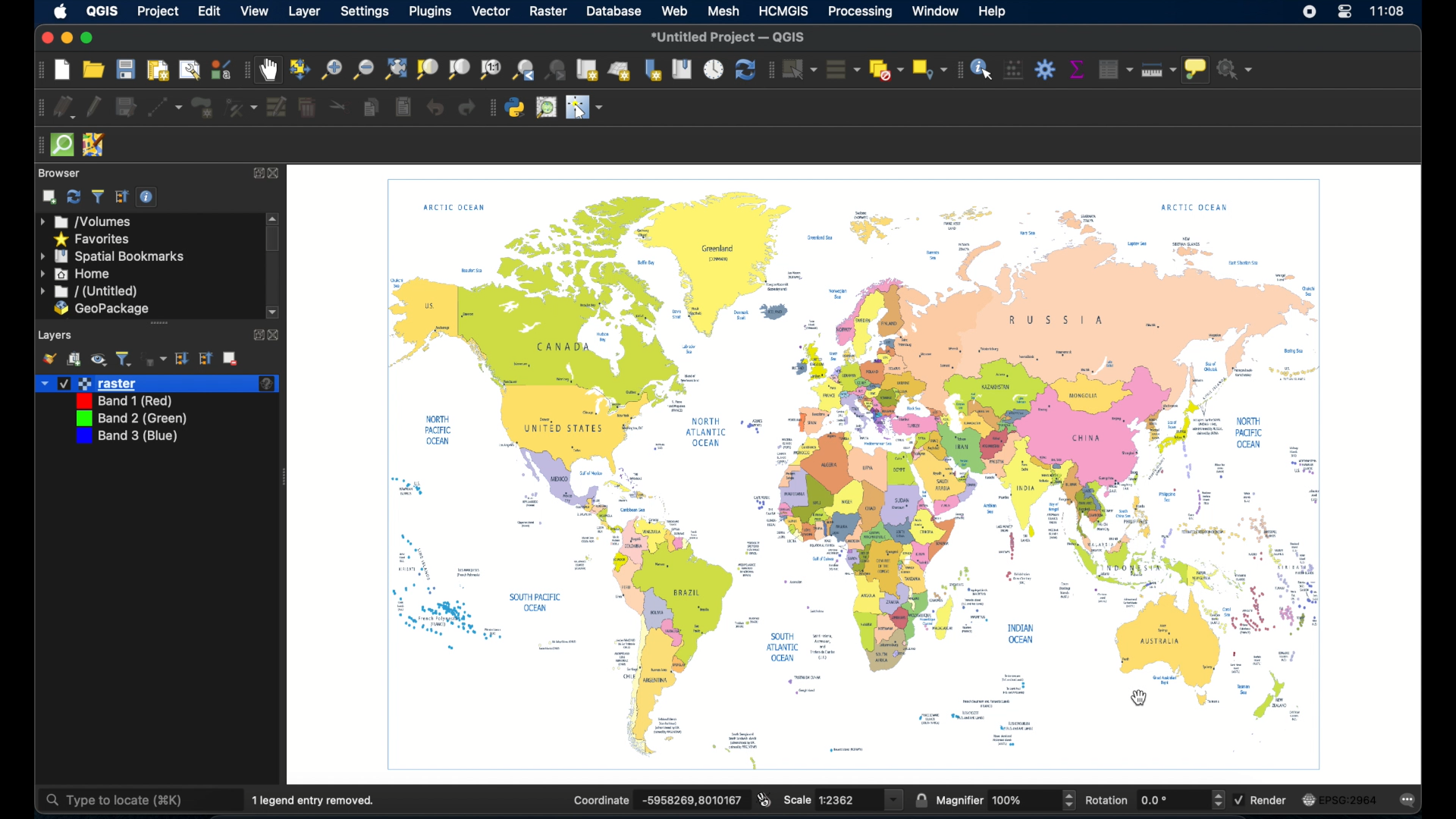  Describe the element at coordinates (42, 382) in the screenshot. I see `dropdown` at that location.